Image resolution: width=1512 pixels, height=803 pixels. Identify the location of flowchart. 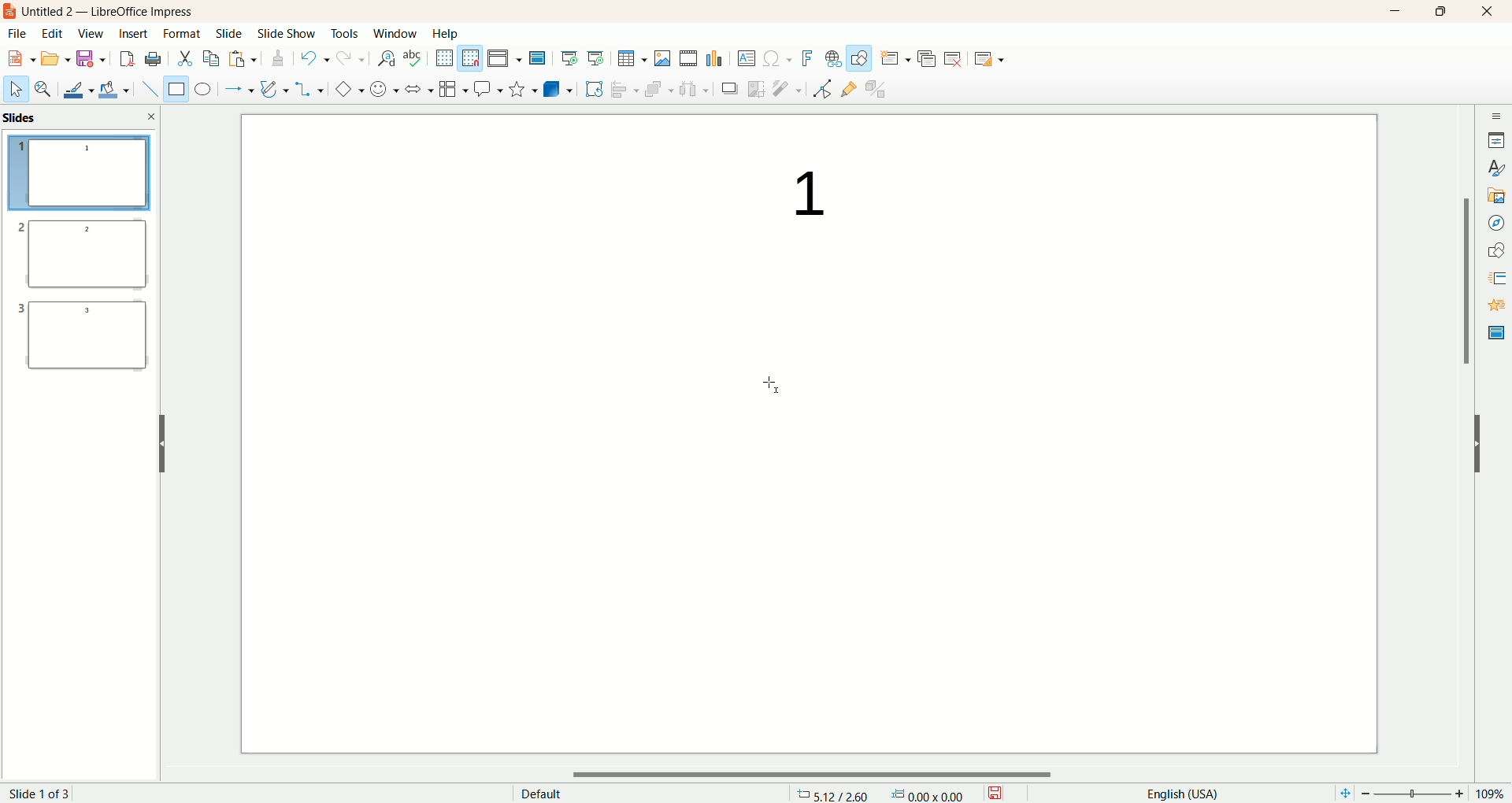
(450, 90).